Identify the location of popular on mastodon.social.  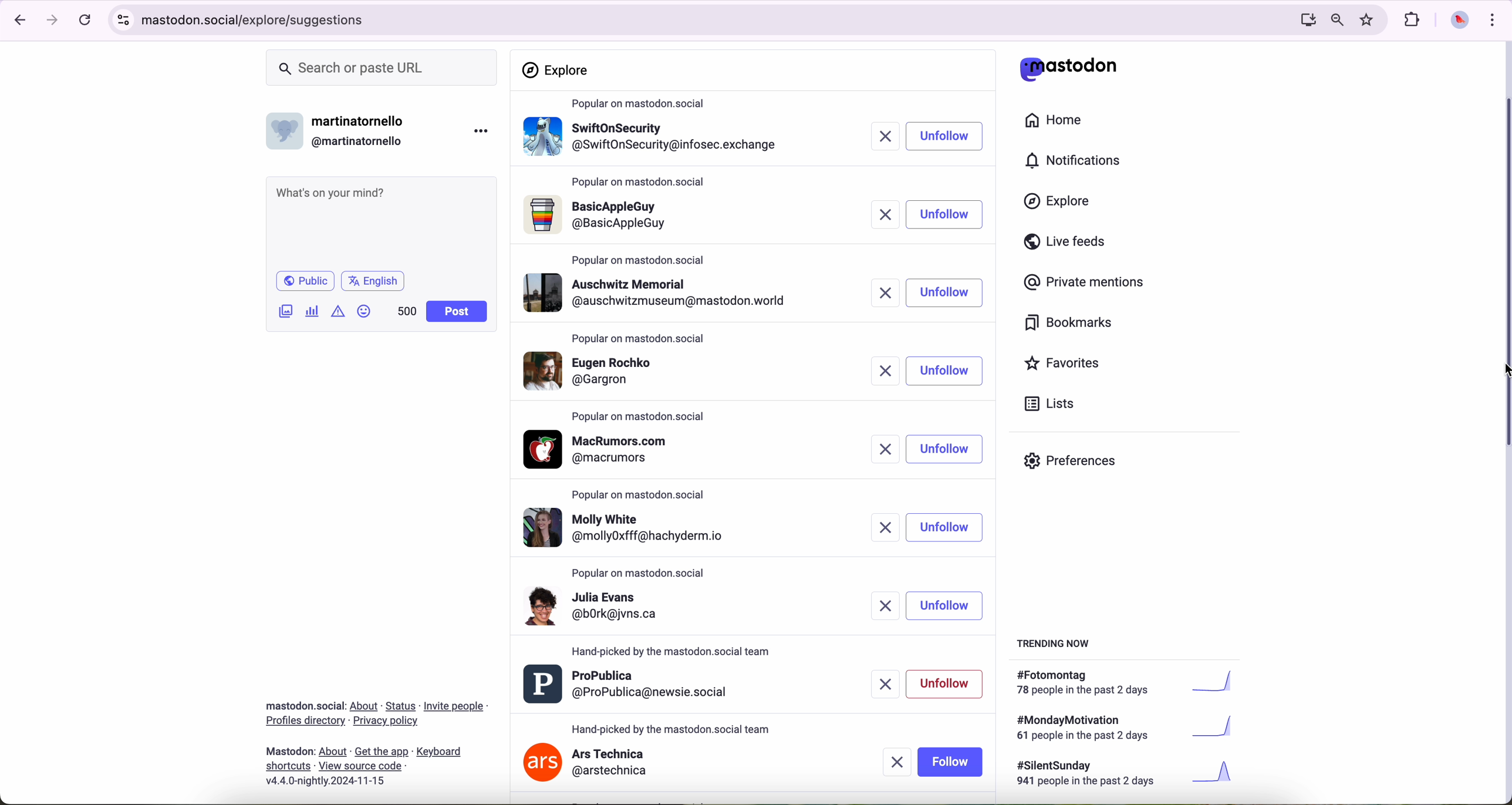
(643, 415).